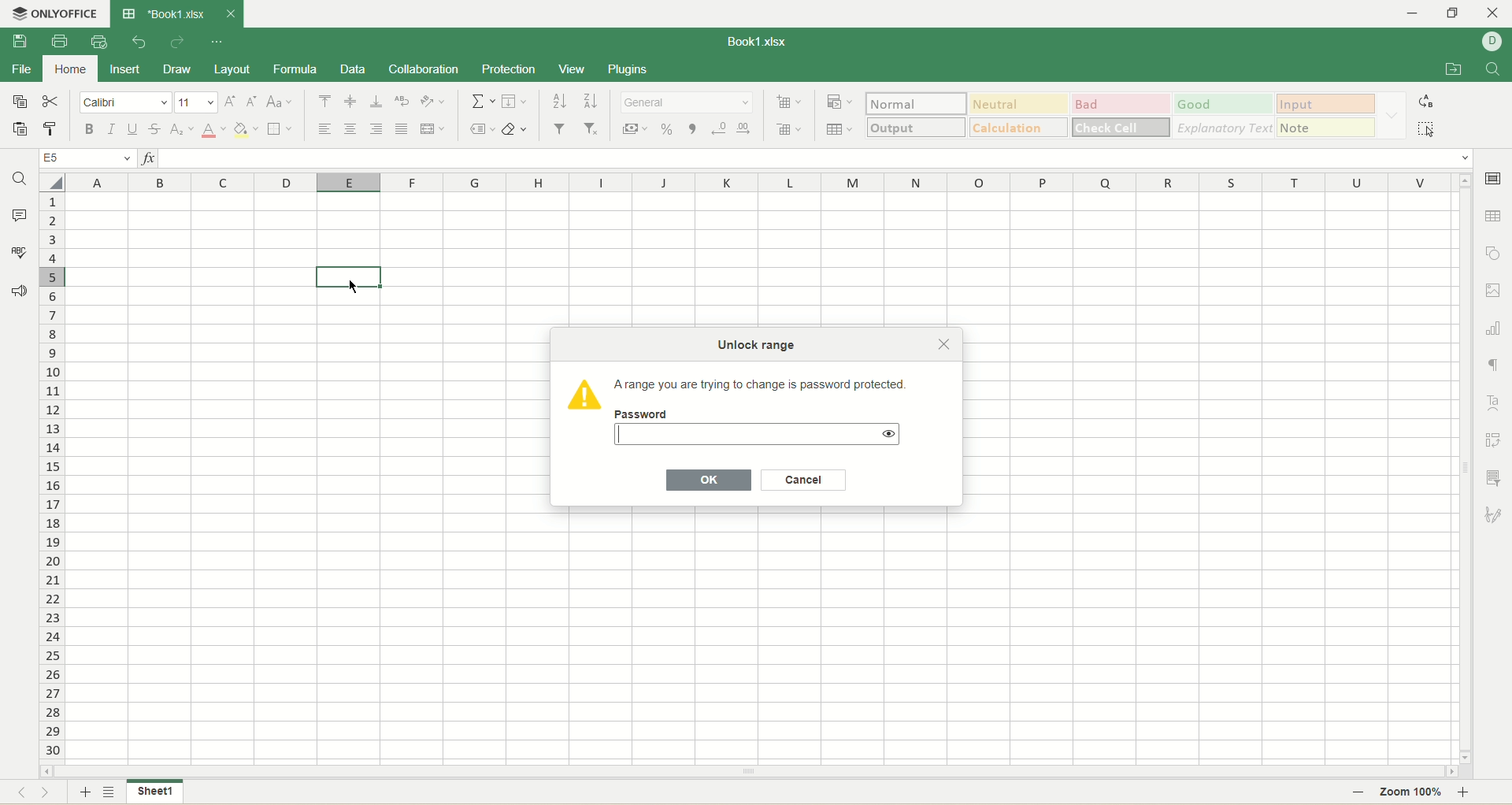 The width and height of the screenshot is (1512, 805). I want to click on underline, so click(132, 129).